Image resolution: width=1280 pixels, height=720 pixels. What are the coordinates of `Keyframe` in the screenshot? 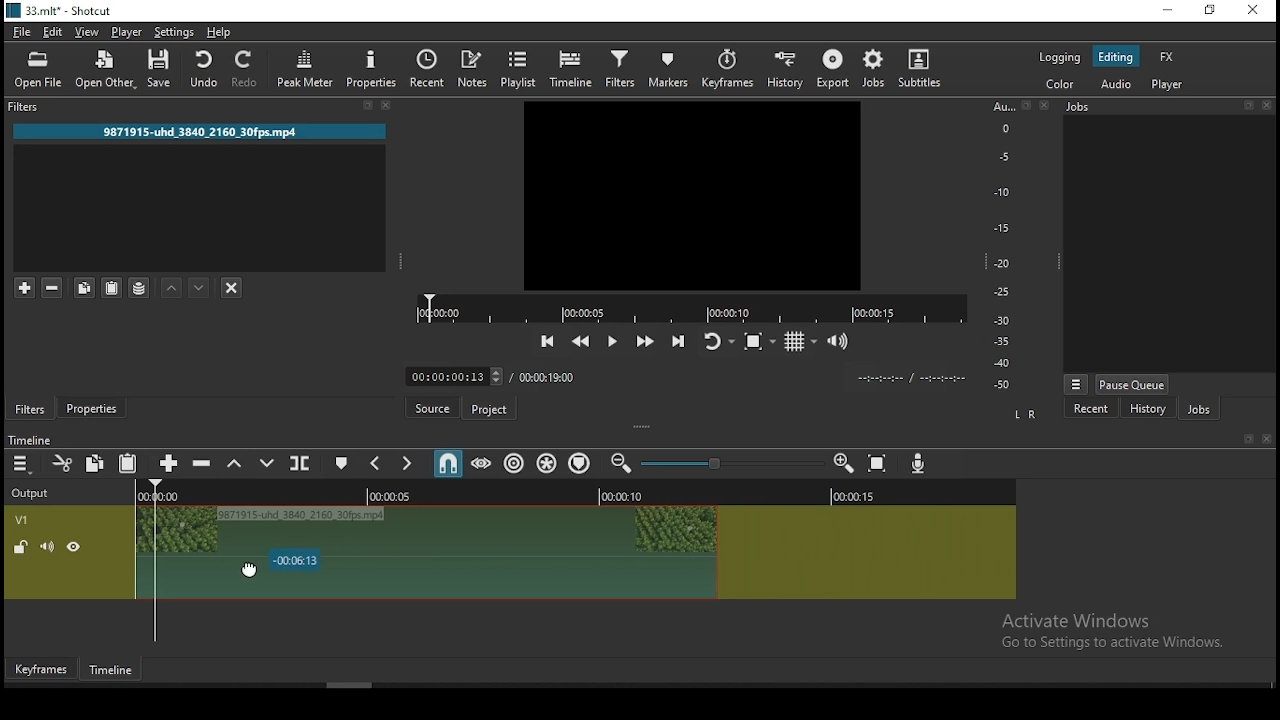 It's located at (43, 670).